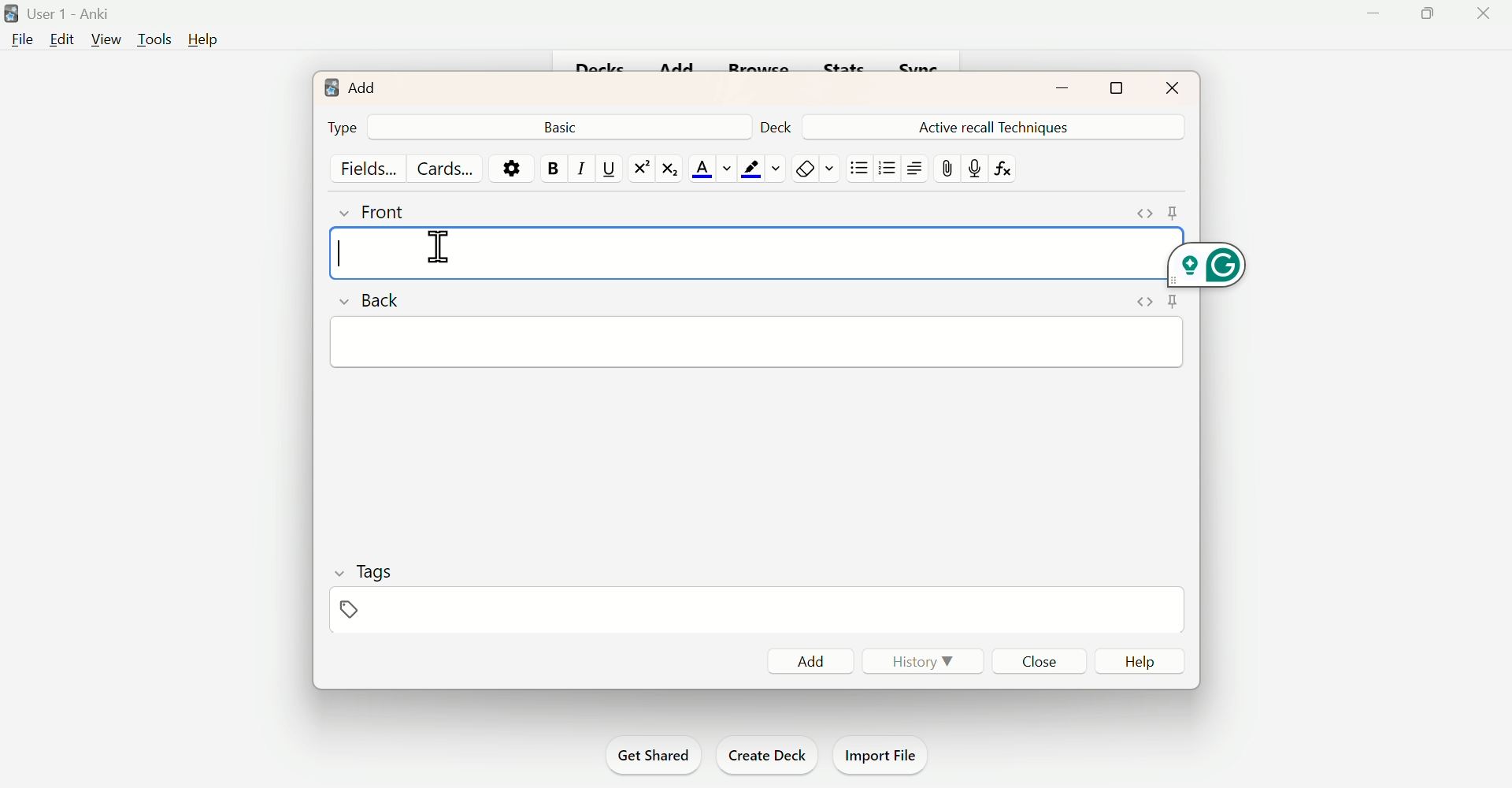  I want to click on Help, so click(1144, 663).